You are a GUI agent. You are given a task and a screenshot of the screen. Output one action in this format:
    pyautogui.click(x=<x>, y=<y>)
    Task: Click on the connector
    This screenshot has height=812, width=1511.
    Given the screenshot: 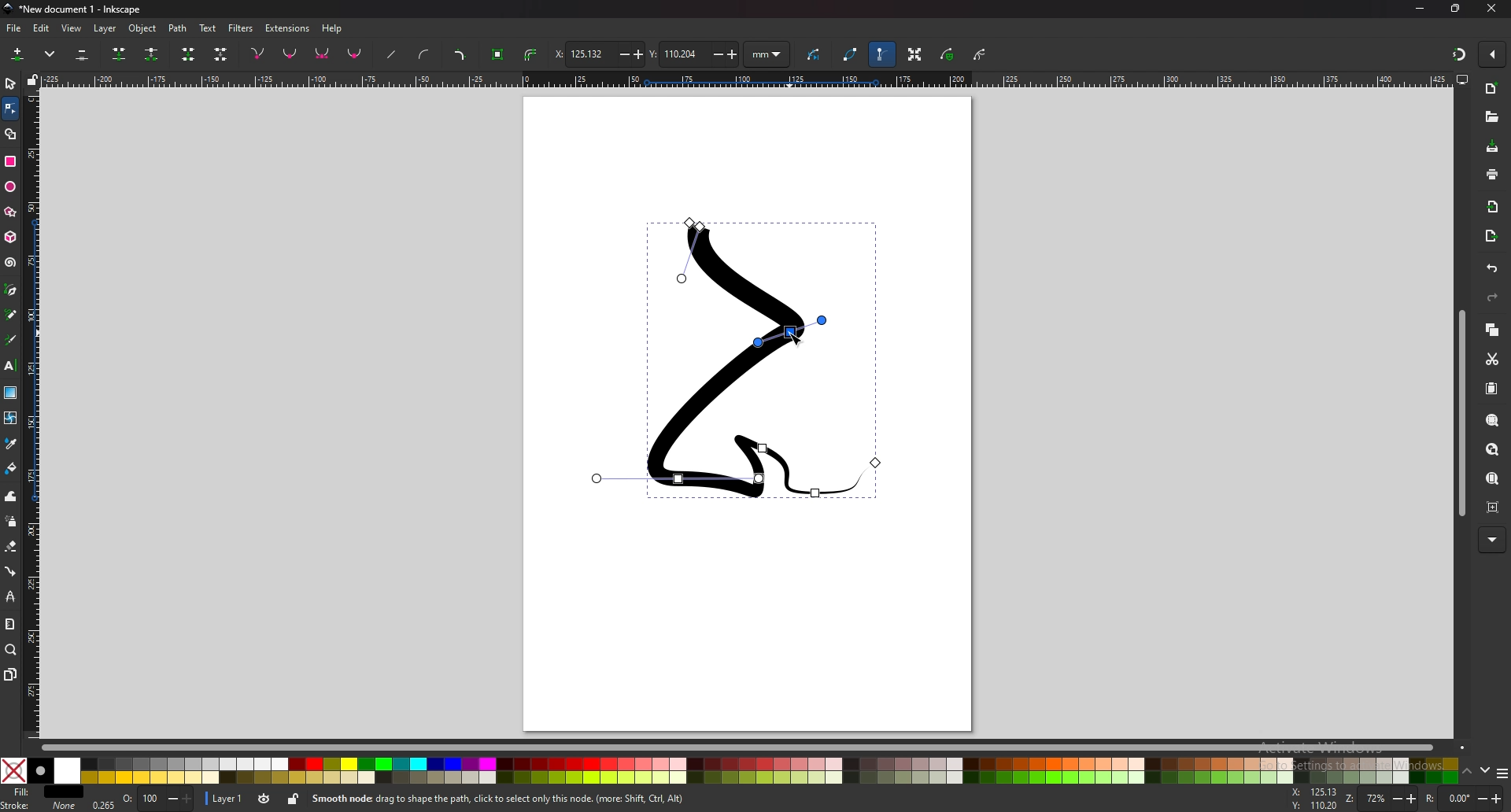 What is the action you would take?
    pyautogui.click(x=11, y=571)
    